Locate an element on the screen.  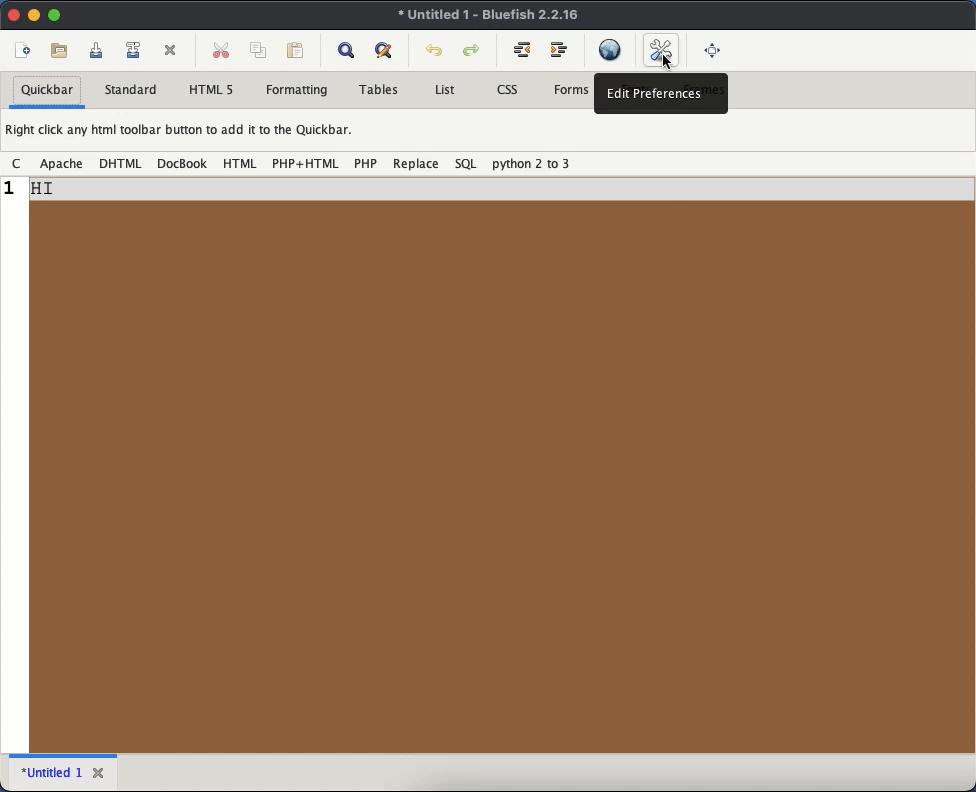
quicker is located at coordinates (46, 90).